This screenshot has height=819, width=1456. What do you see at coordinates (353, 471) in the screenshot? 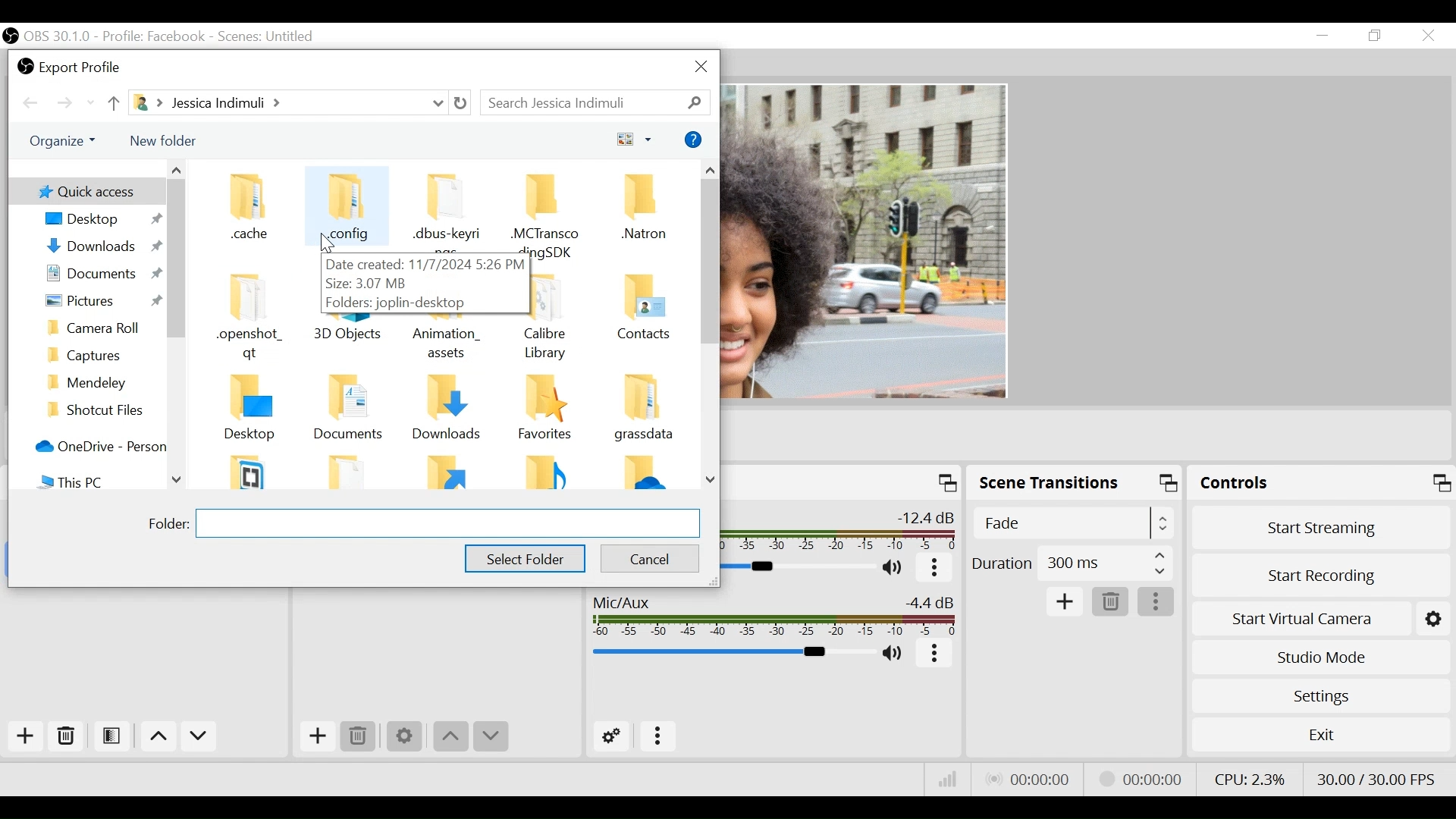
I see `Folder` at bounding box center [353, 471].